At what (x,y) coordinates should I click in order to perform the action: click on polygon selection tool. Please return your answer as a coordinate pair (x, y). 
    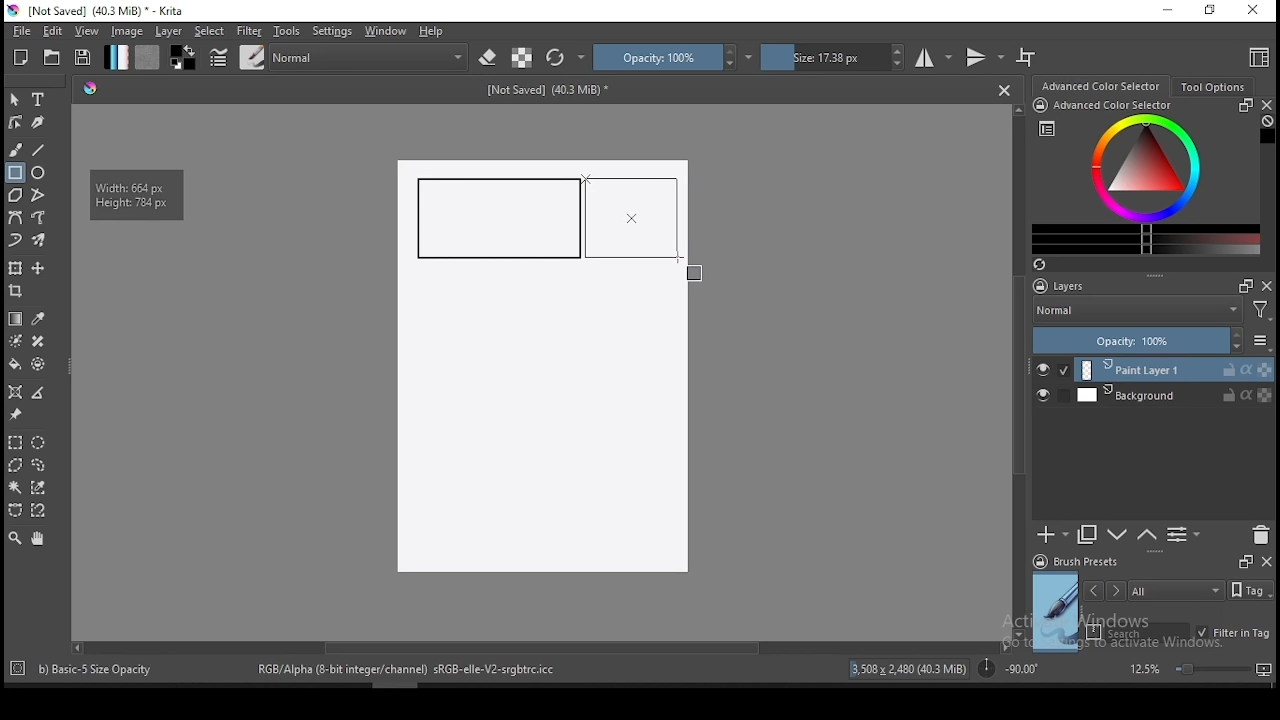
    Looking at the image, I should click on (16, 465).